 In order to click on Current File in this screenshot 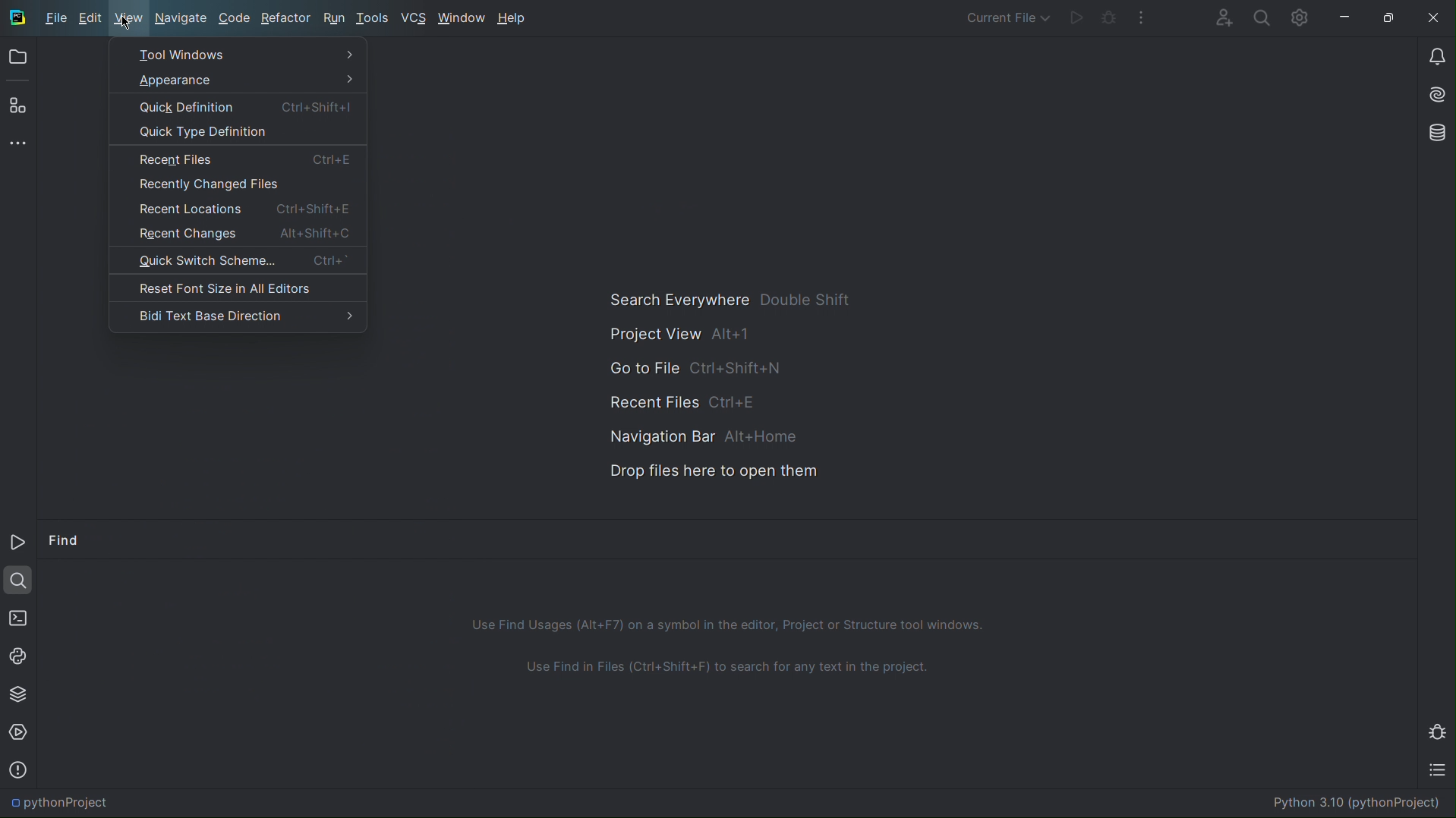, I will do `click(1010, 14)`.